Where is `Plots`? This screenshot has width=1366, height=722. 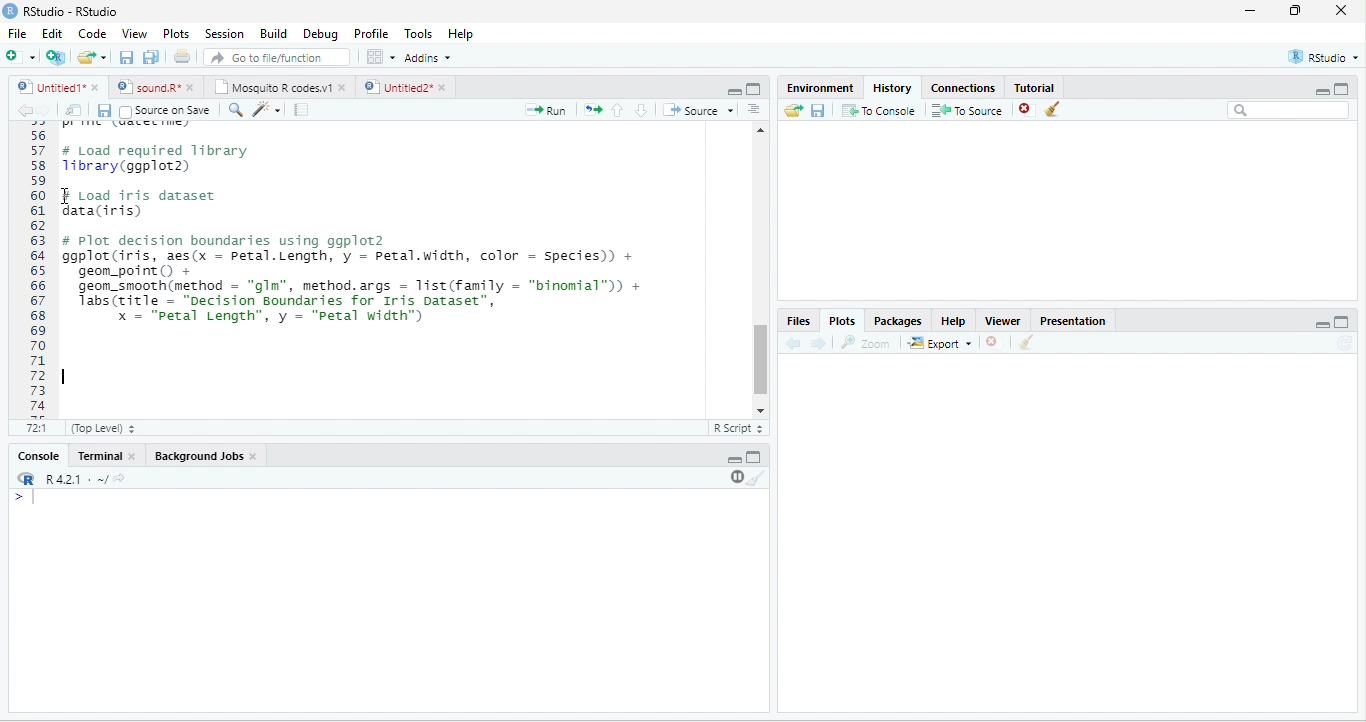
Plots is located at coordinates (176, 34).